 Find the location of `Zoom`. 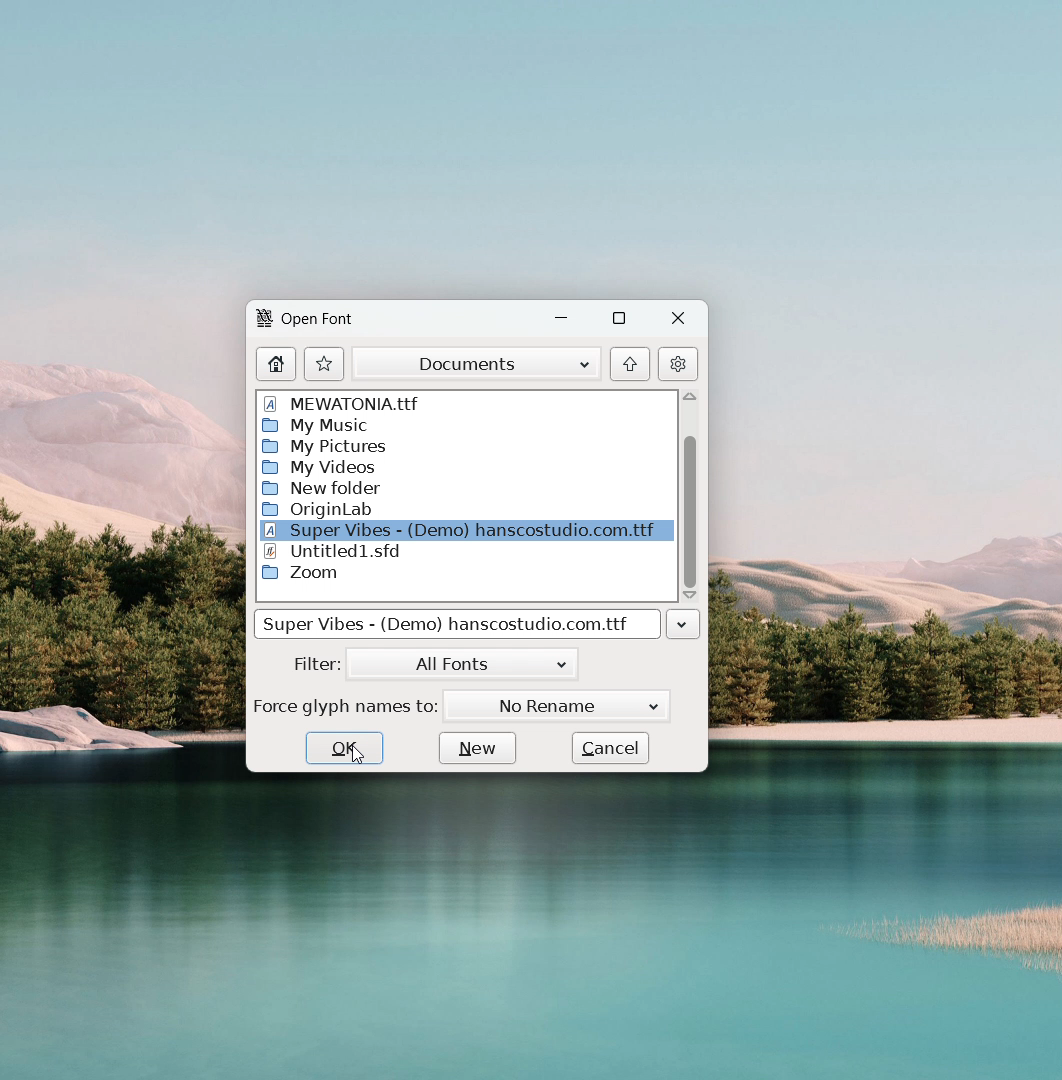

Zoom is located at coordinates (304, 579).